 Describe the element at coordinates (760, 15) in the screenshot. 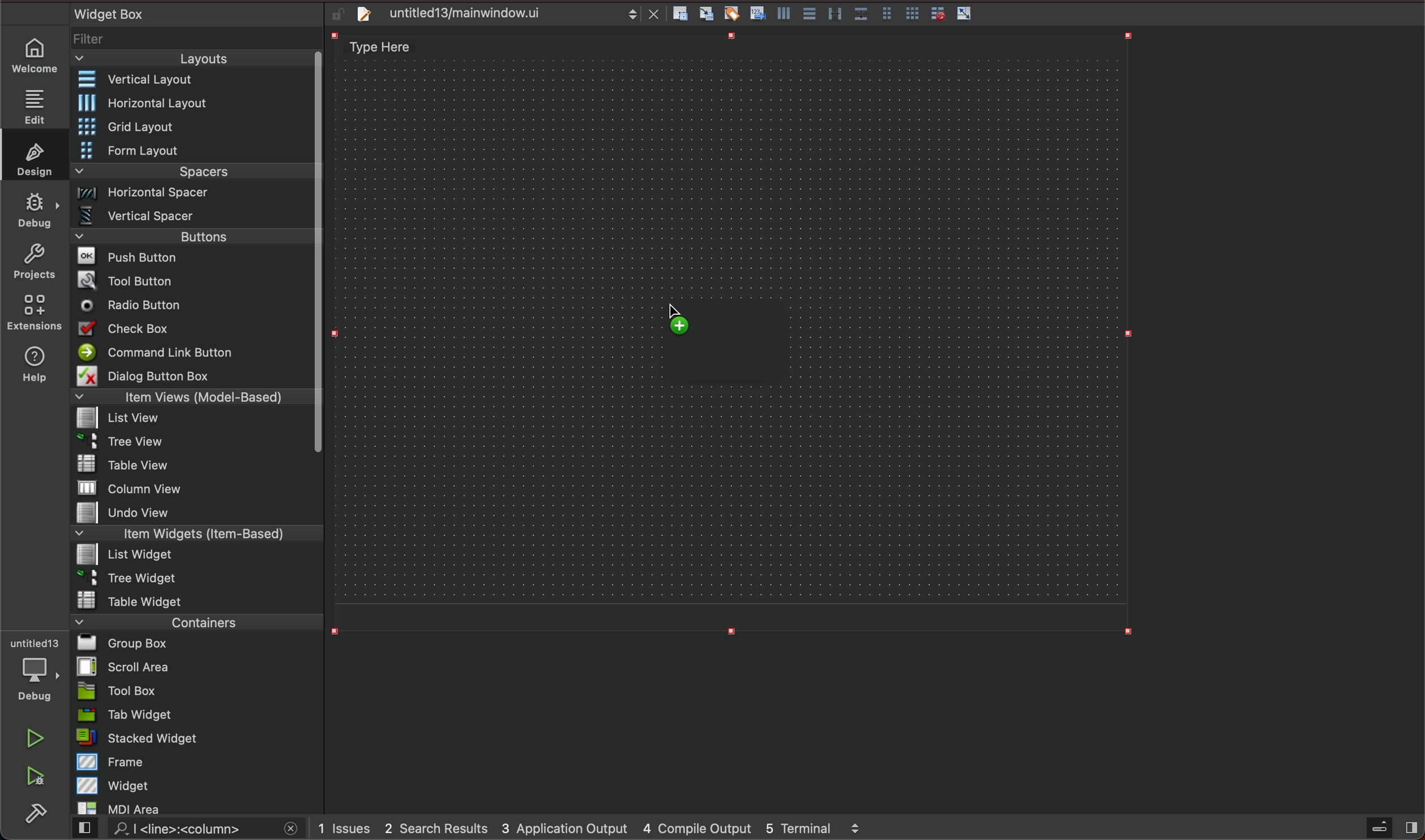

I see `vertical` at that location.